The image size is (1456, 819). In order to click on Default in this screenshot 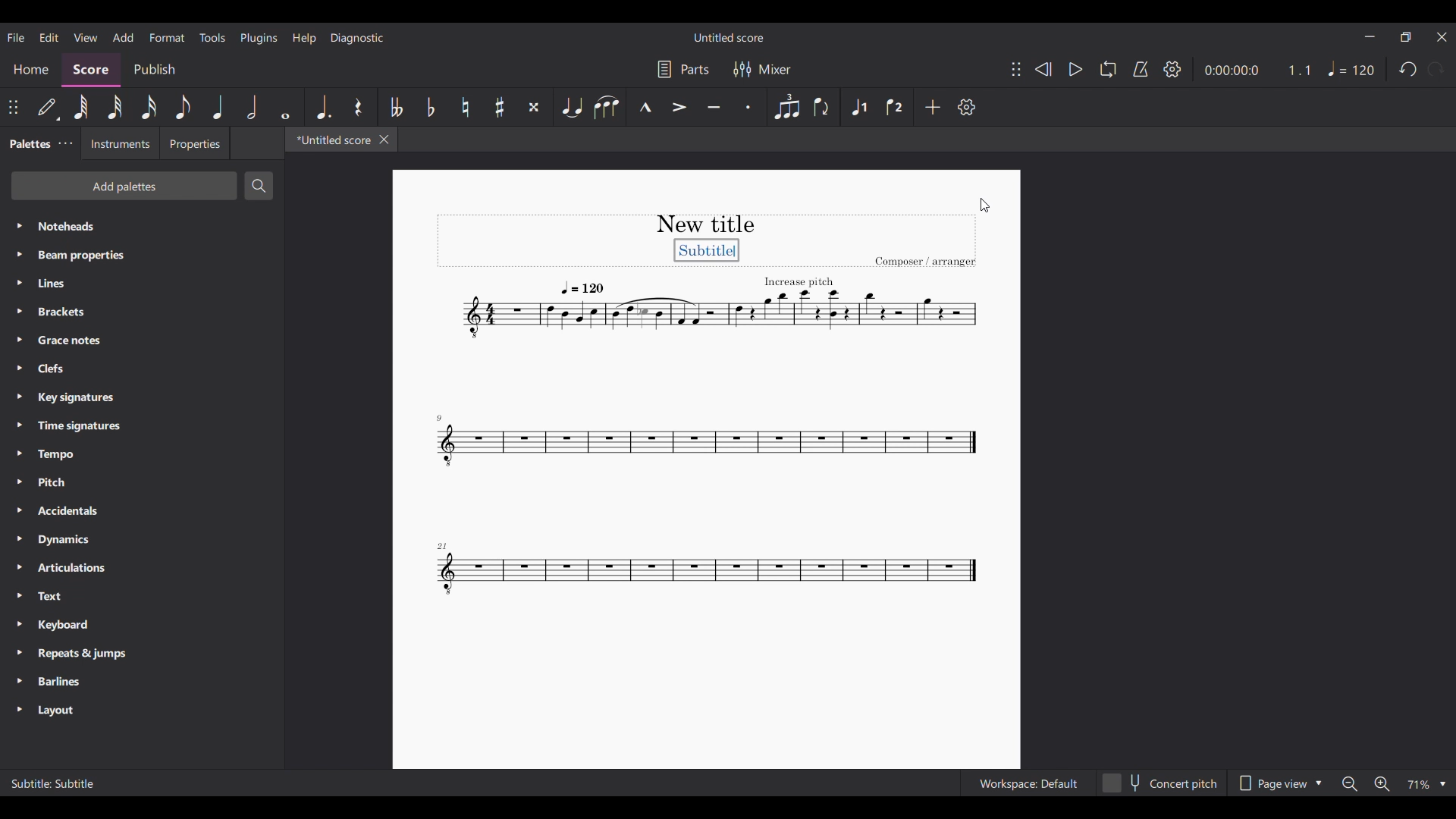, I will do `click(47, 107)`.